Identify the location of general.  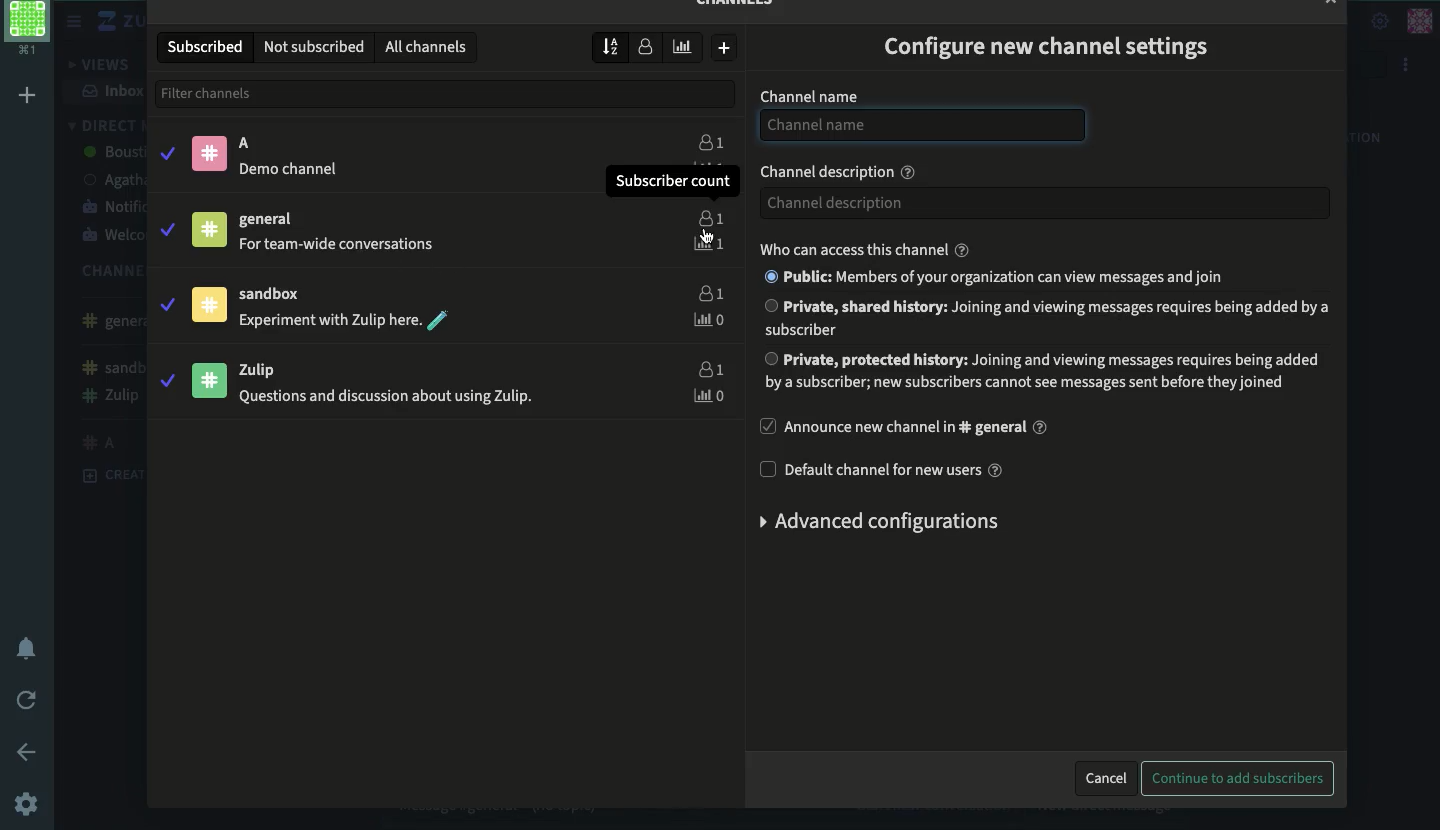
(273, 222).